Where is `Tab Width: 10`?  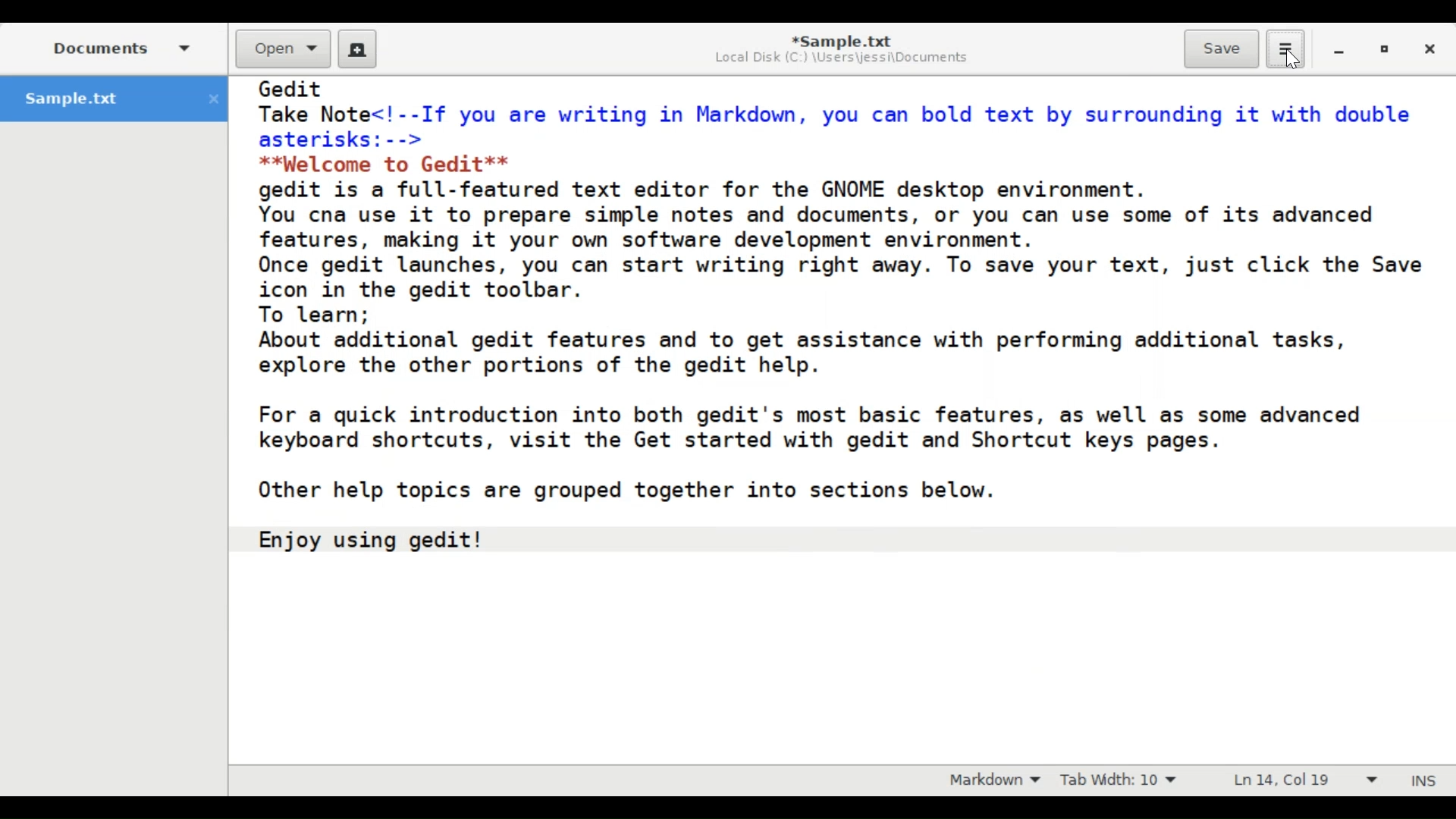 Tab Width: 10 is located at coordinates (1122, 780).